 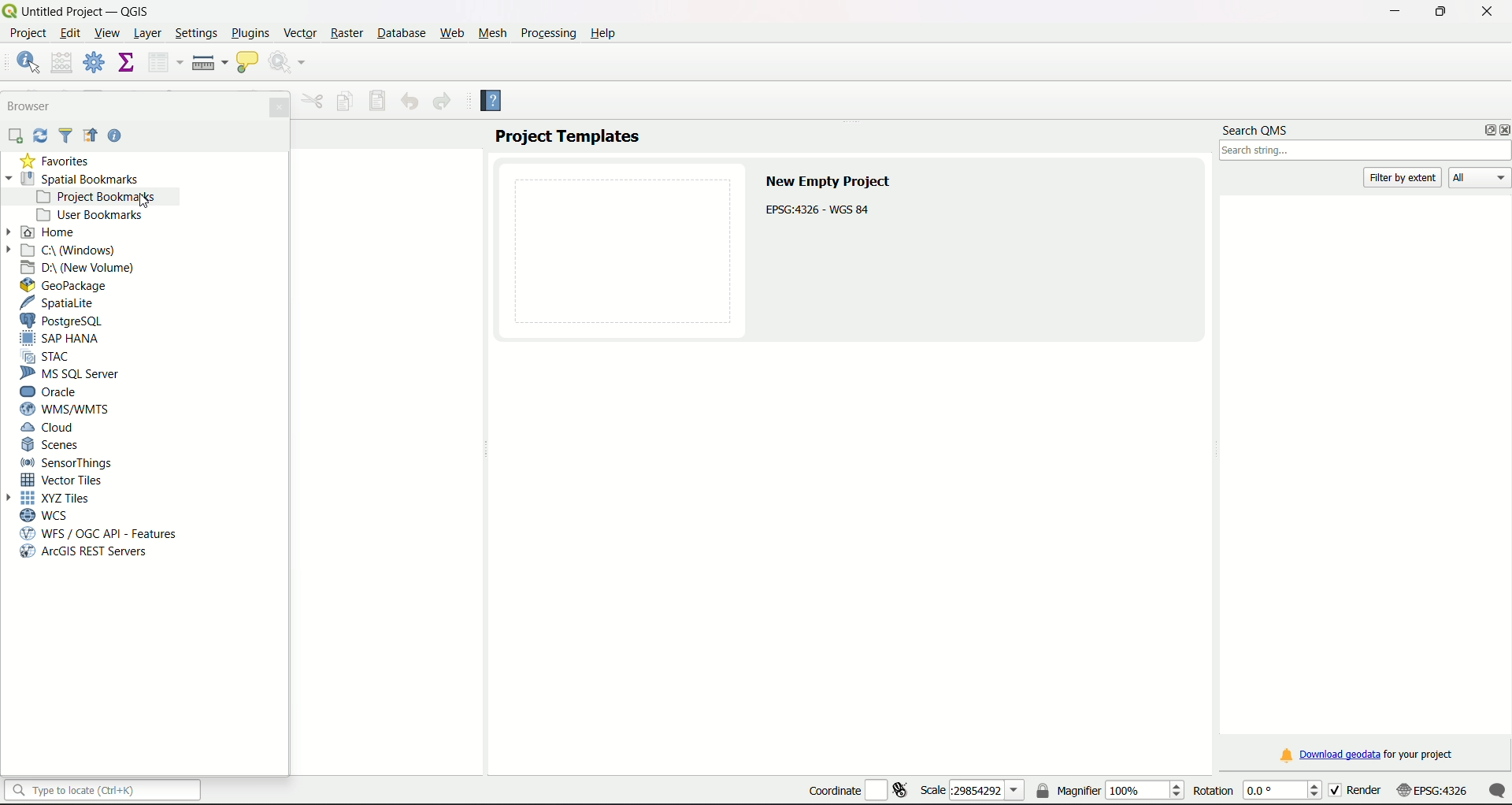 What do you see at coordinates (972, 791) in the screenshot?
I see `scale` at bounding box center [972, 791].